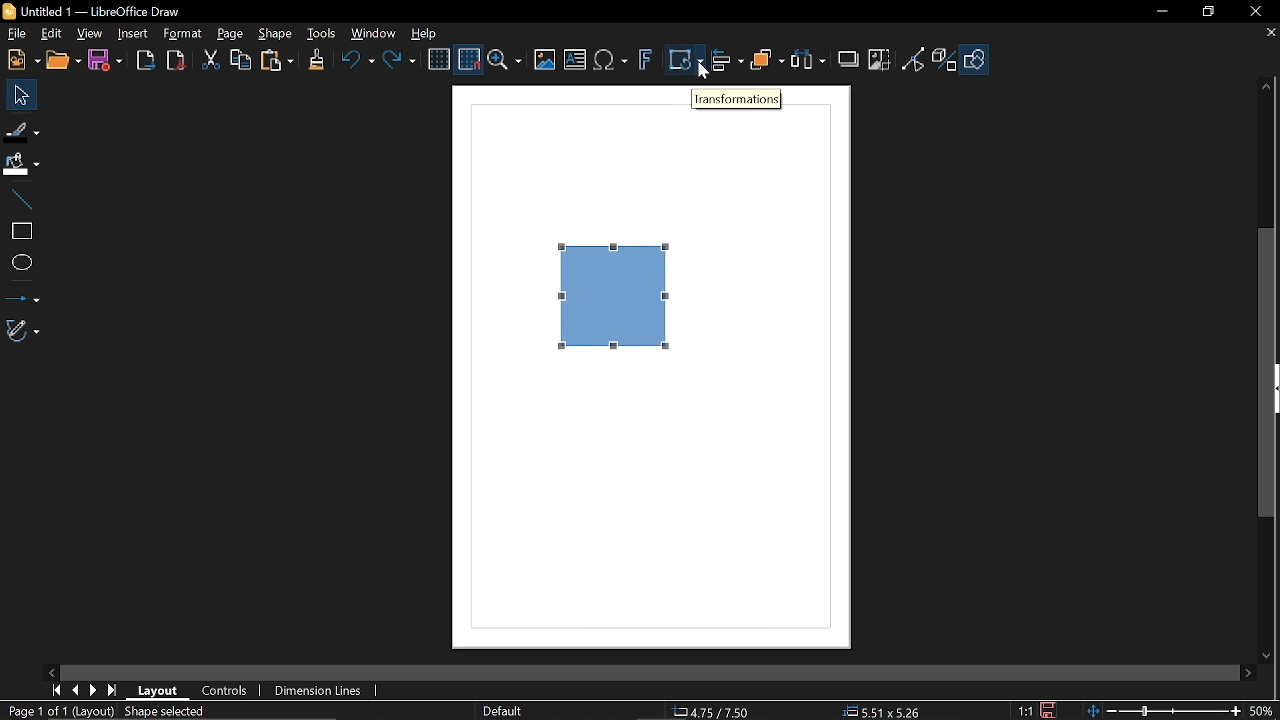 The height and width of the screenshot is (720, 1280). Describe the element at coordinates (19, 232) in the screenshot. I see `rectangle` at that location.